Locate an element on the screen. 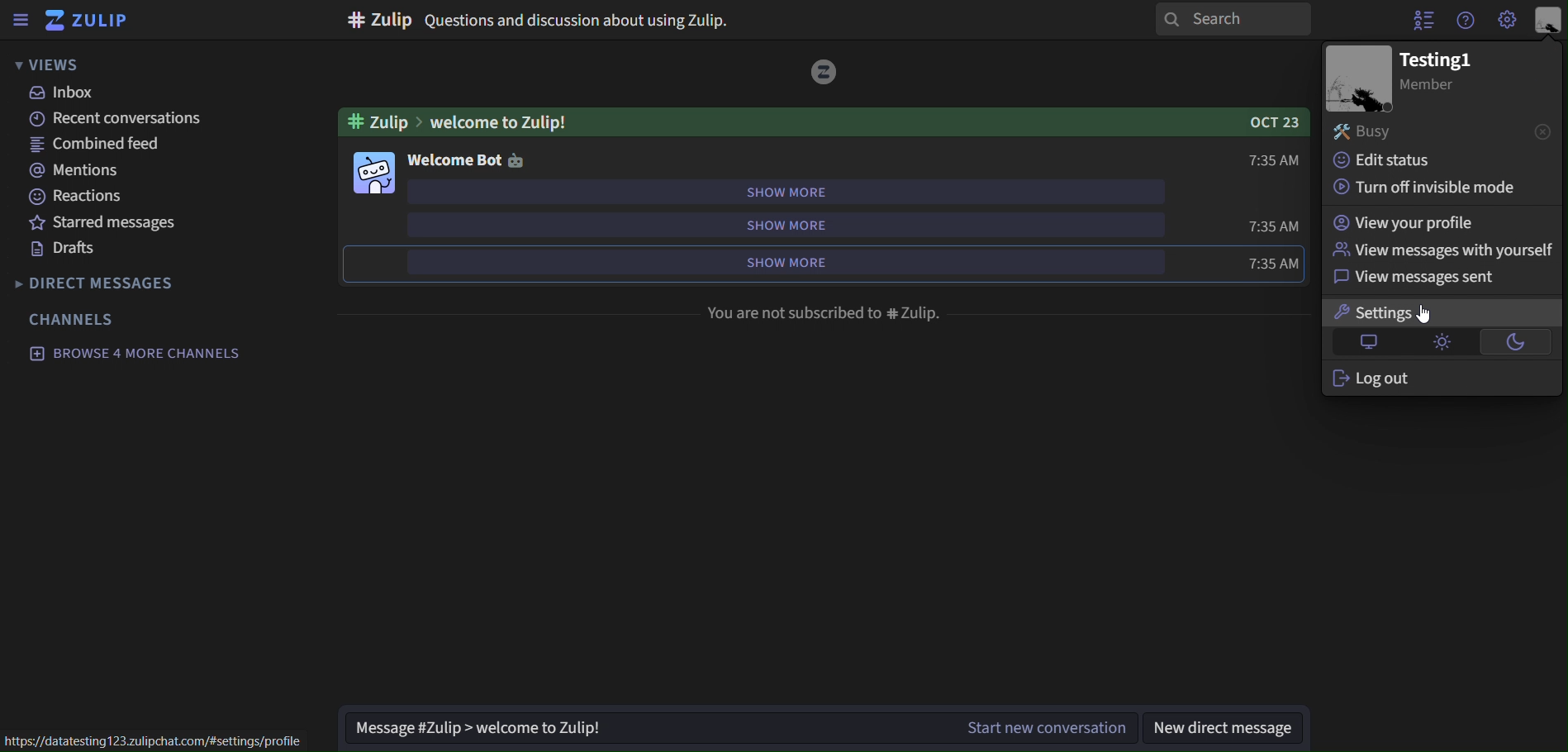 Image resolution: width=1568 pixels, height=752 pixels. views is located at coordinates (48, 63).